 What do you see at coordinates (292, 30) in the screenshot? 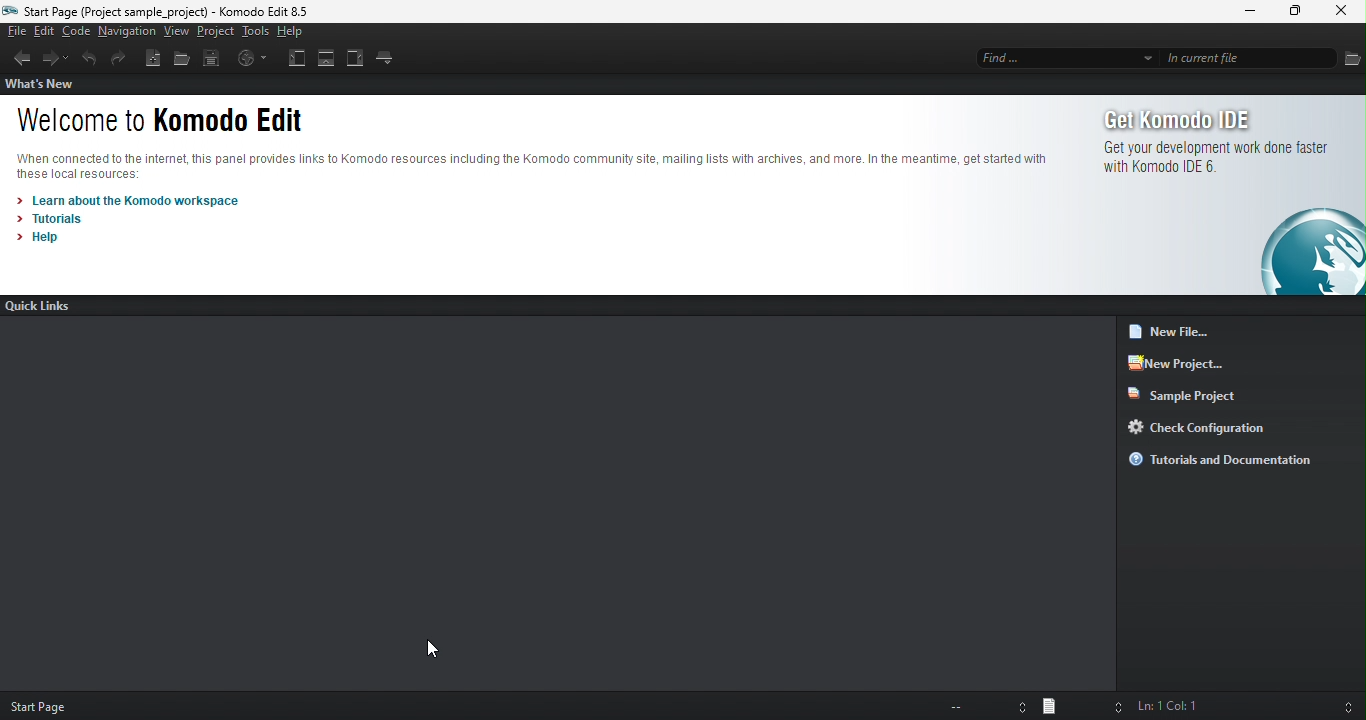
I see `help` at bounding box center [292, 30].